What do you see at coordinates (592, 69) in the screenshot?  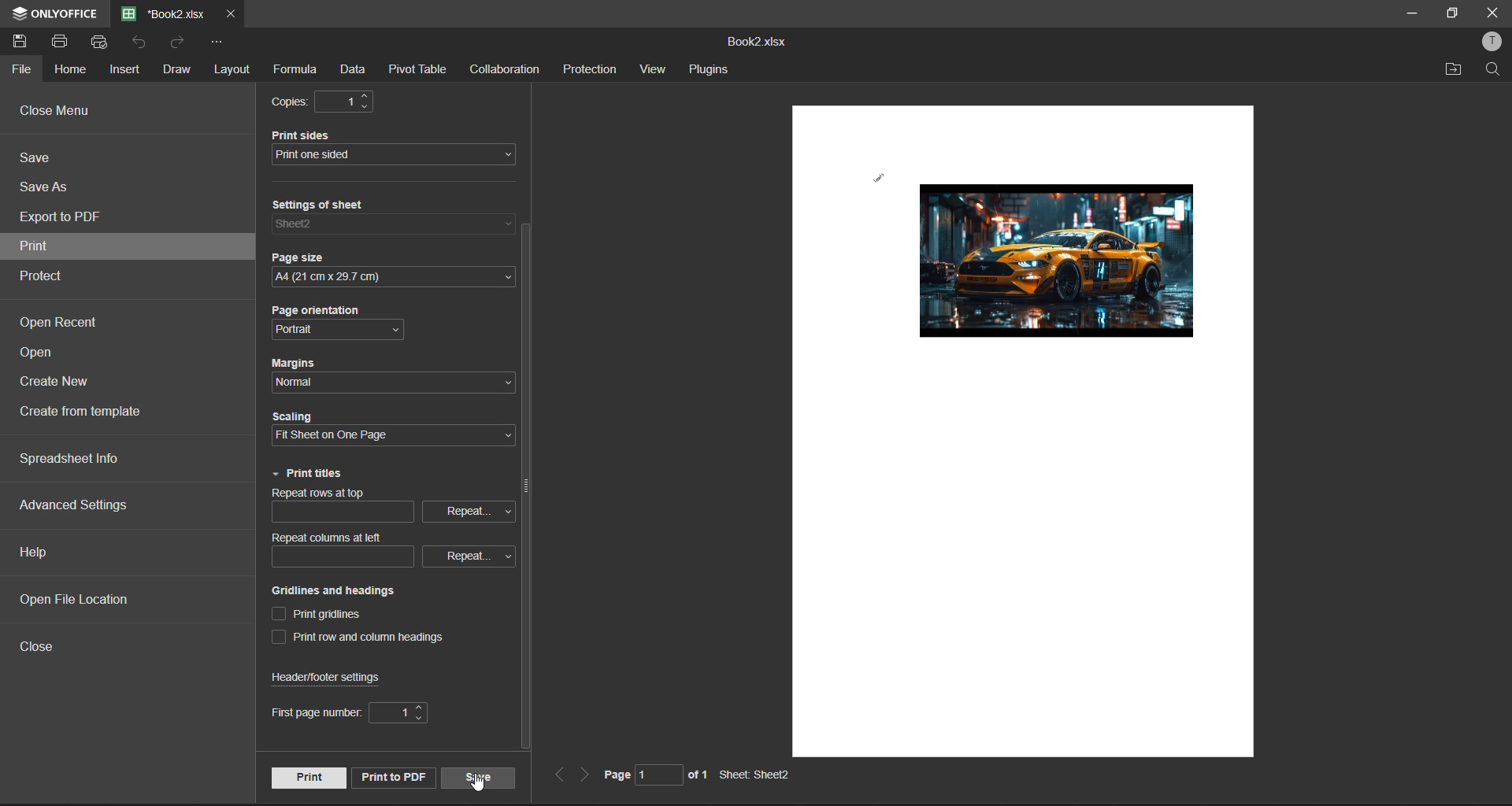 I see `protection` at bounding box center [592, 69].